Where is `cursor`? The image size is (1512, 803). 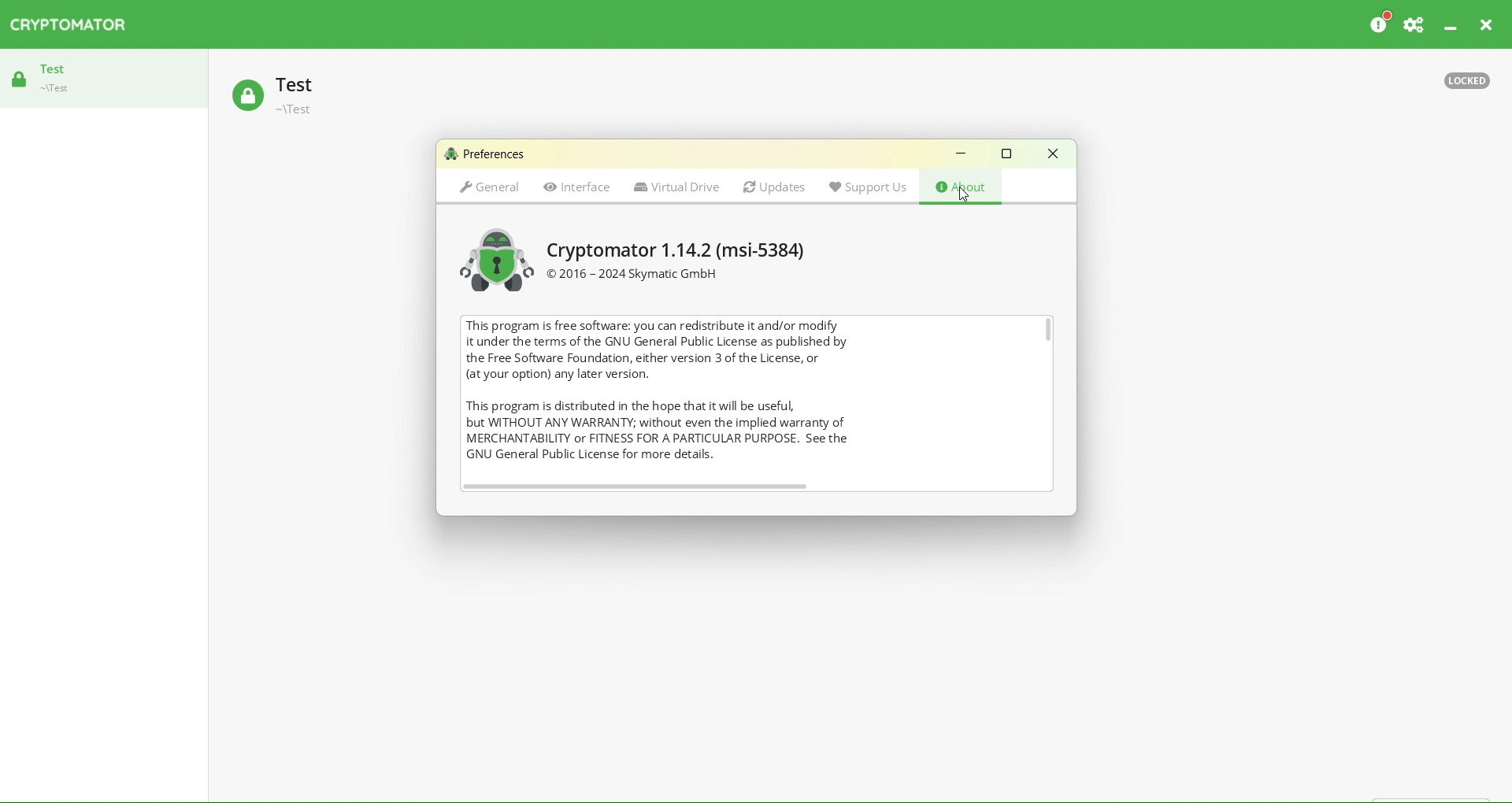 cursor is located at coordinates (965, 196).